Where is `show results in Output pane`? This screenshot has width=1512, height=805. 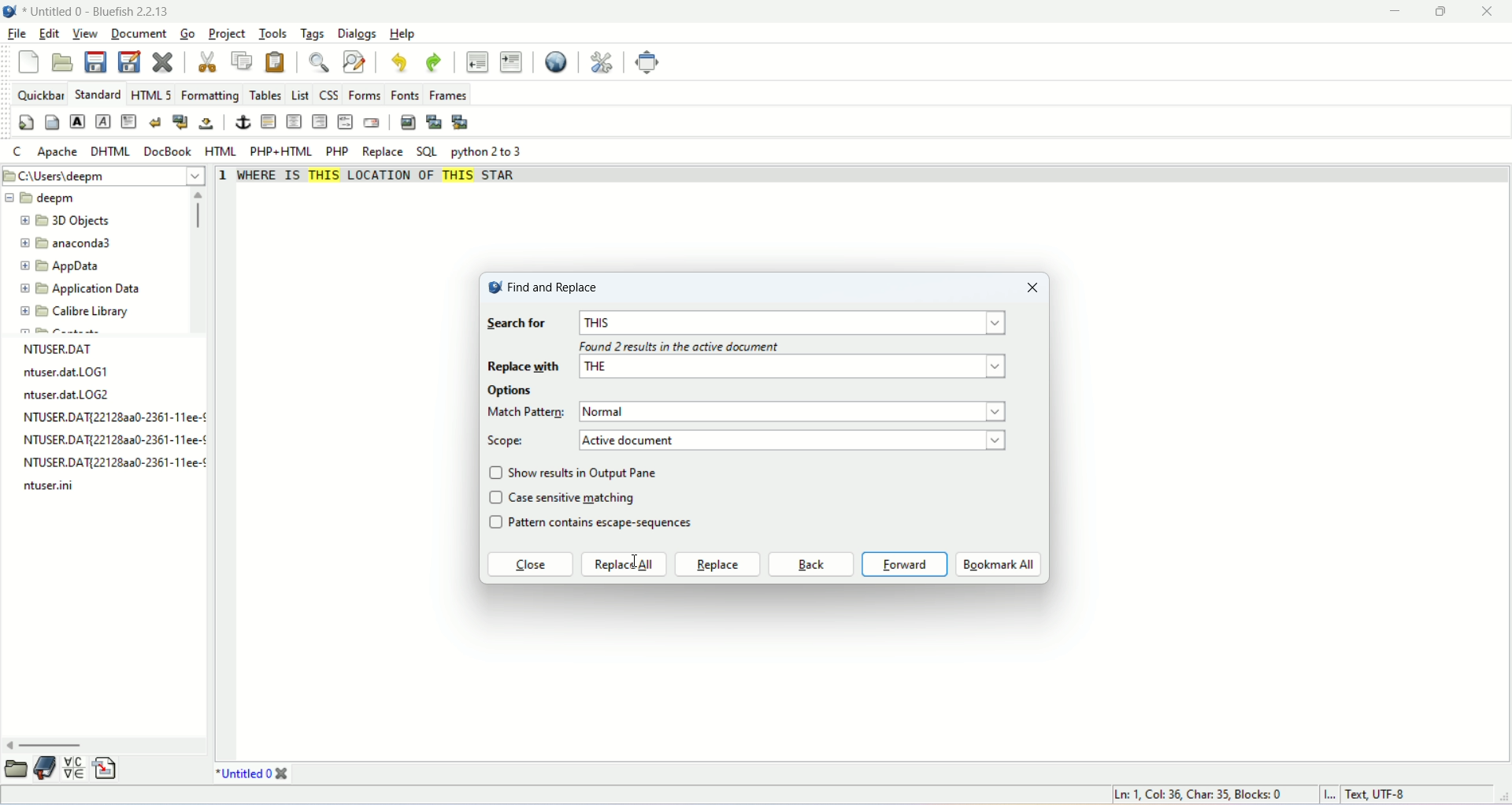 show results in Output pane is located at coordinates (587, 472).